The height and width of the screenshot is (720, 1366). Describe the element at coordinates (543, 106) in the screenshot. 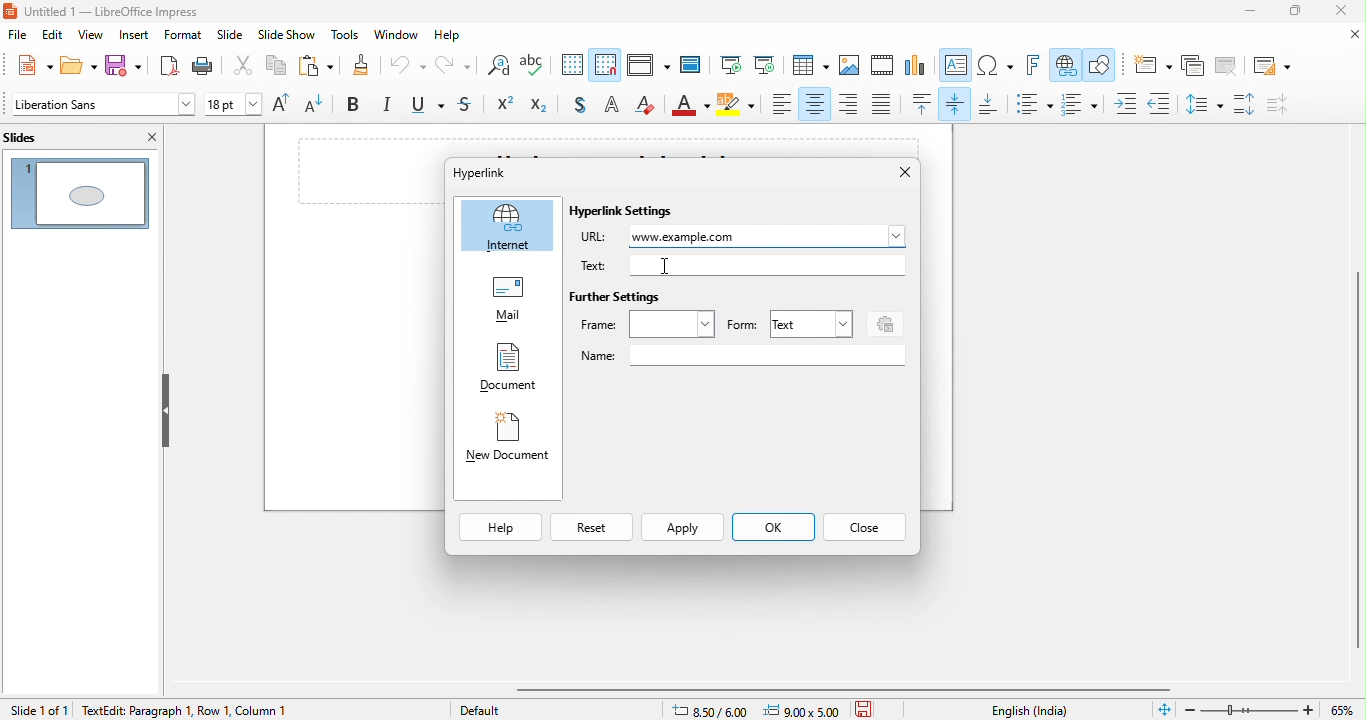

I see `subscript` at that location.